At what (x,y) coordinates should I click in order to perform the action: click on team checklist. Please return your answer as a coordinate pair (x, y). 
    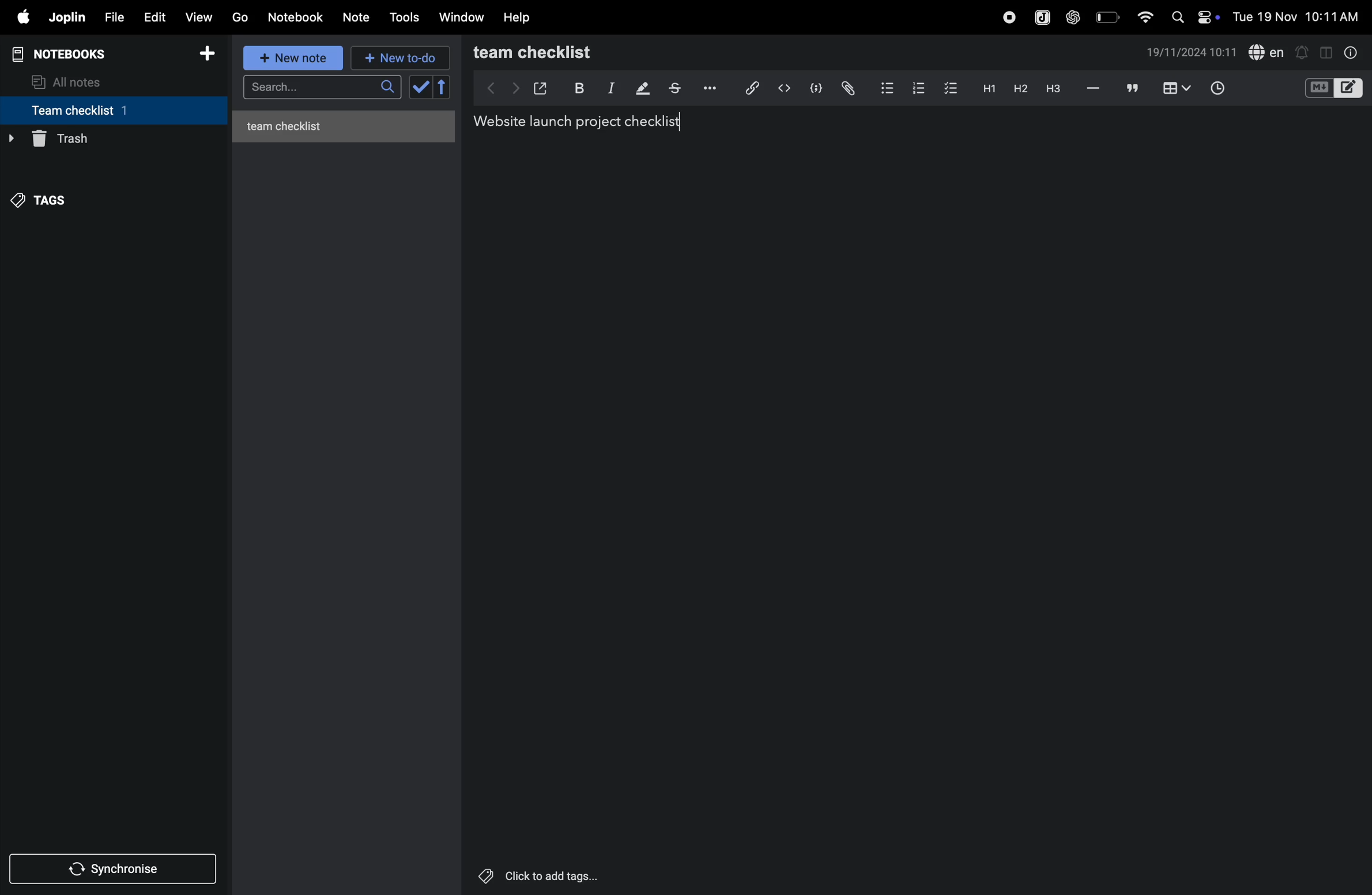
    Looking at the image, I should click on (94, 110).